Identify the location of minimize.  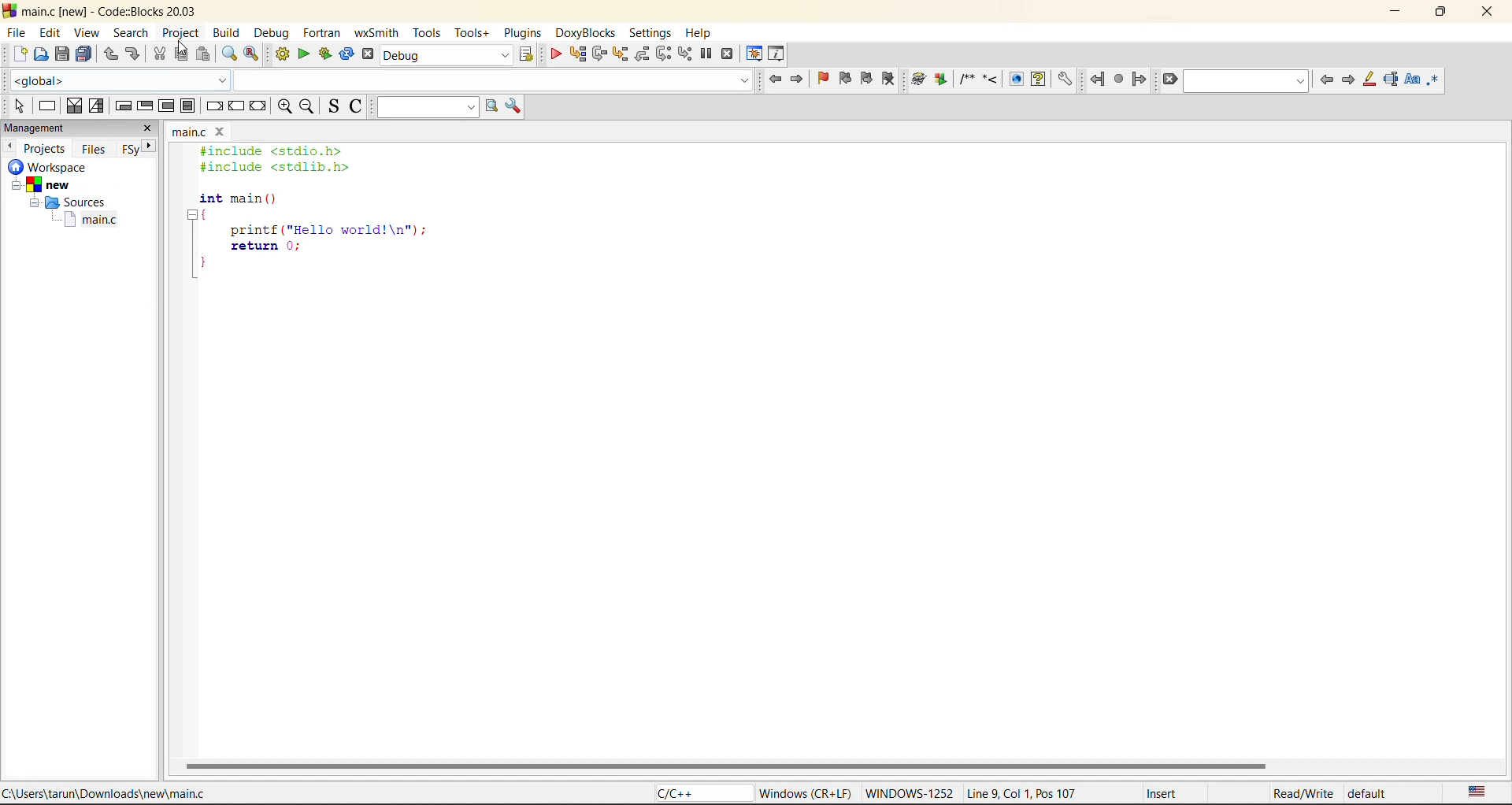
(1401, 13).